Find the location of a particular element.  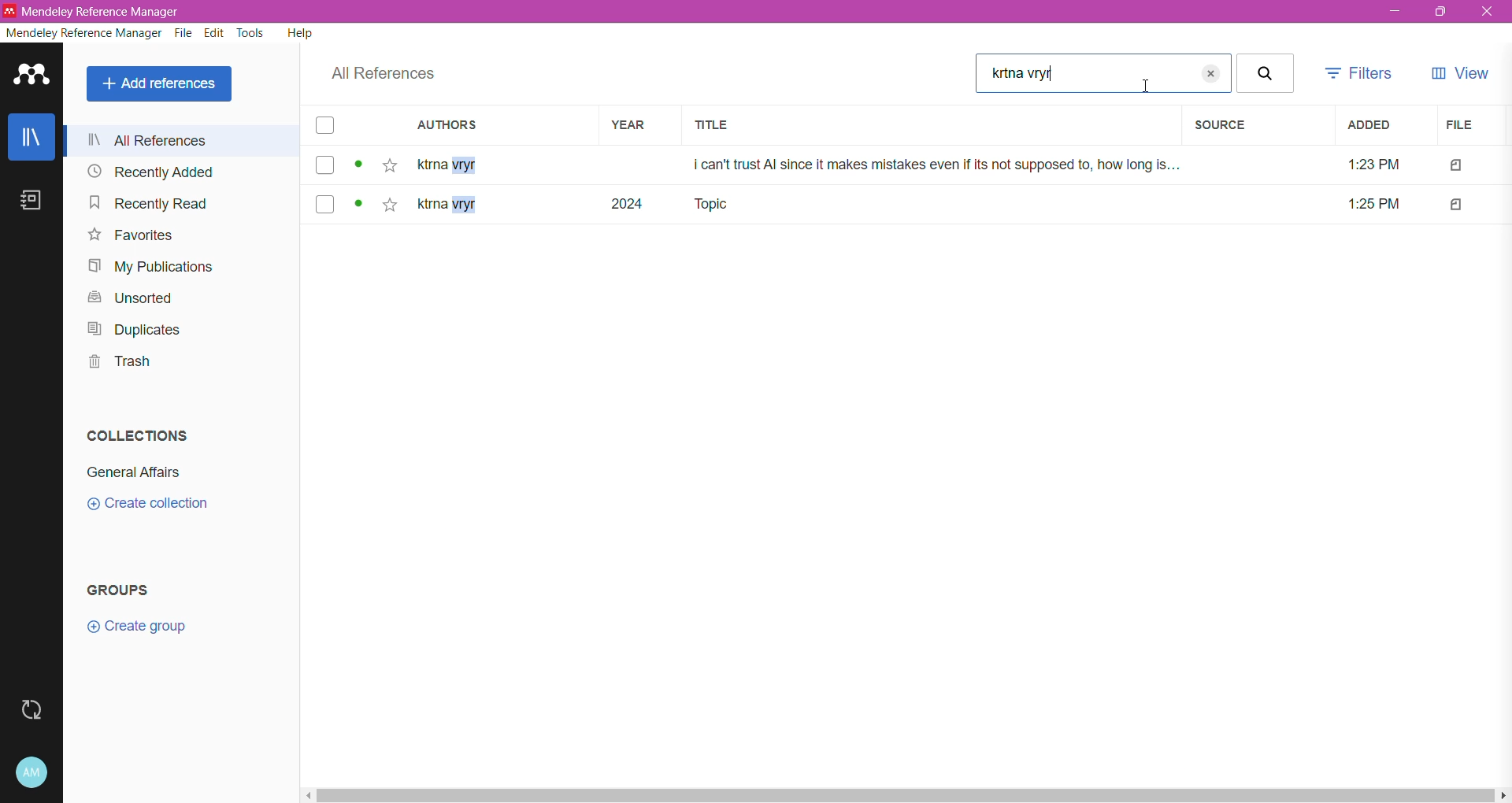

Source is located at coordinates (1254, 126).